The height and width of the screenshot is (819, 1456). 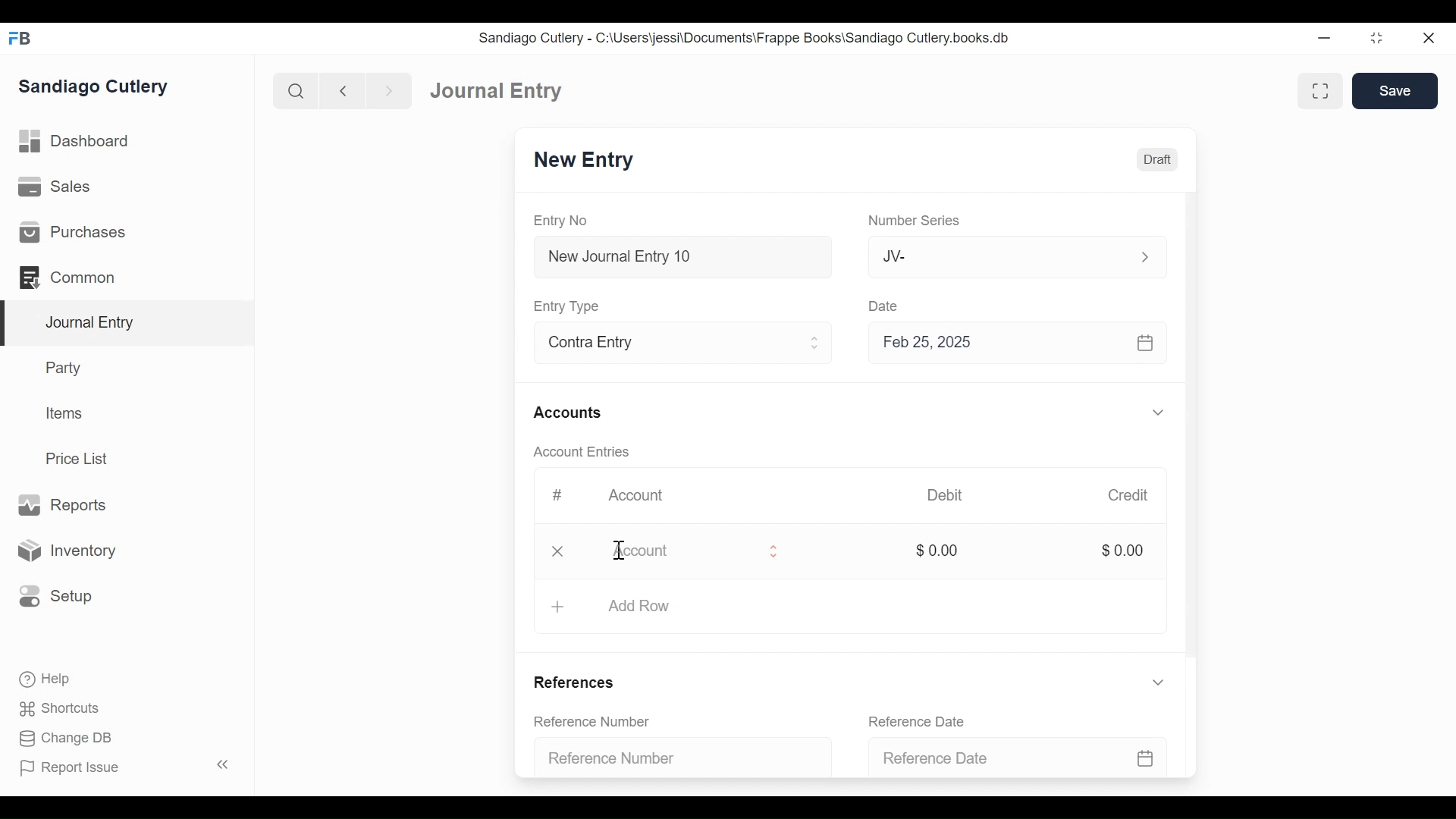 I want to click on Minimize, so click(x=1326, y=39).